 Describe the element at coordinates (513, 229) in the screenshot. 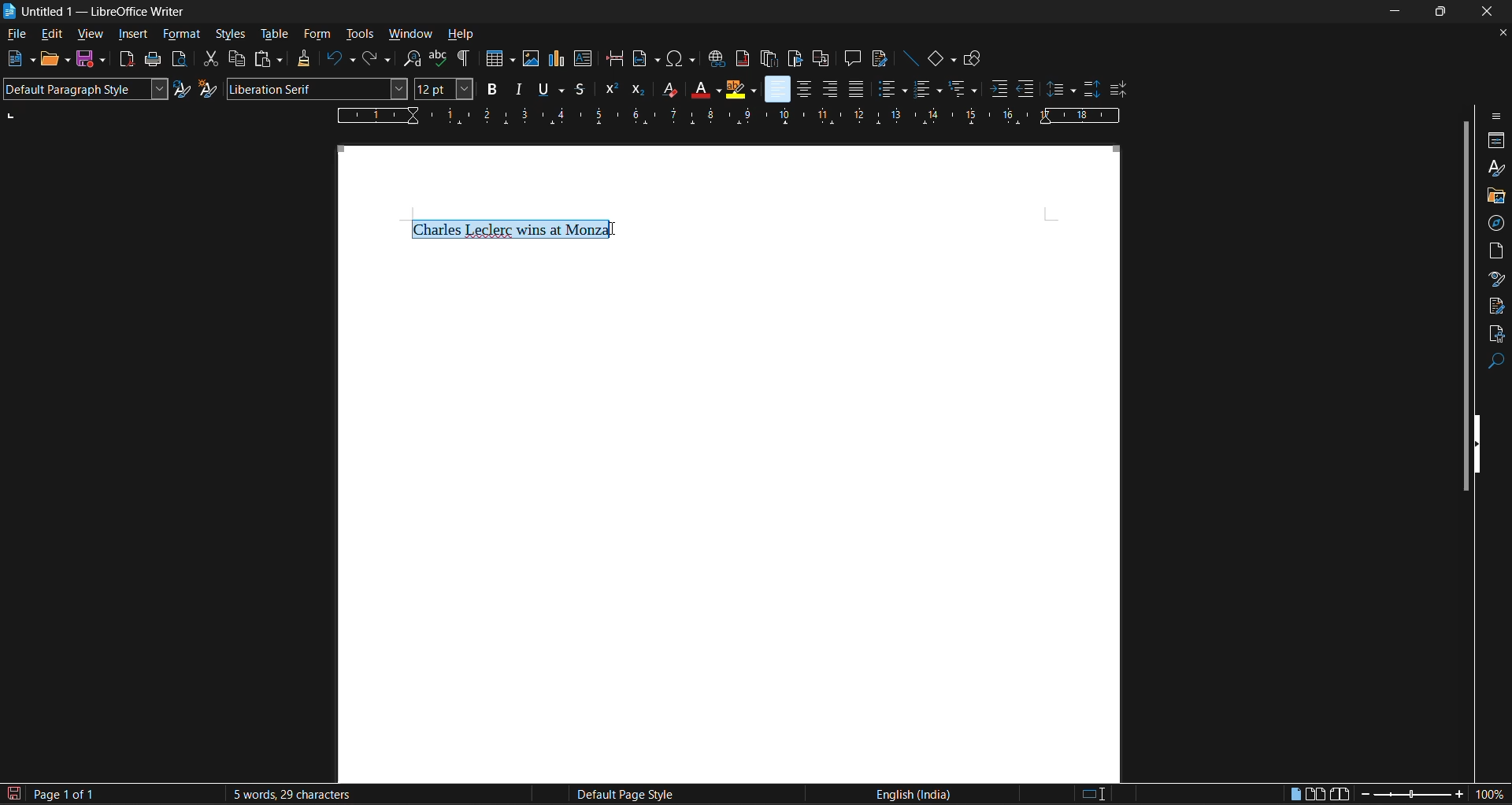

I see `selected text` at that location.